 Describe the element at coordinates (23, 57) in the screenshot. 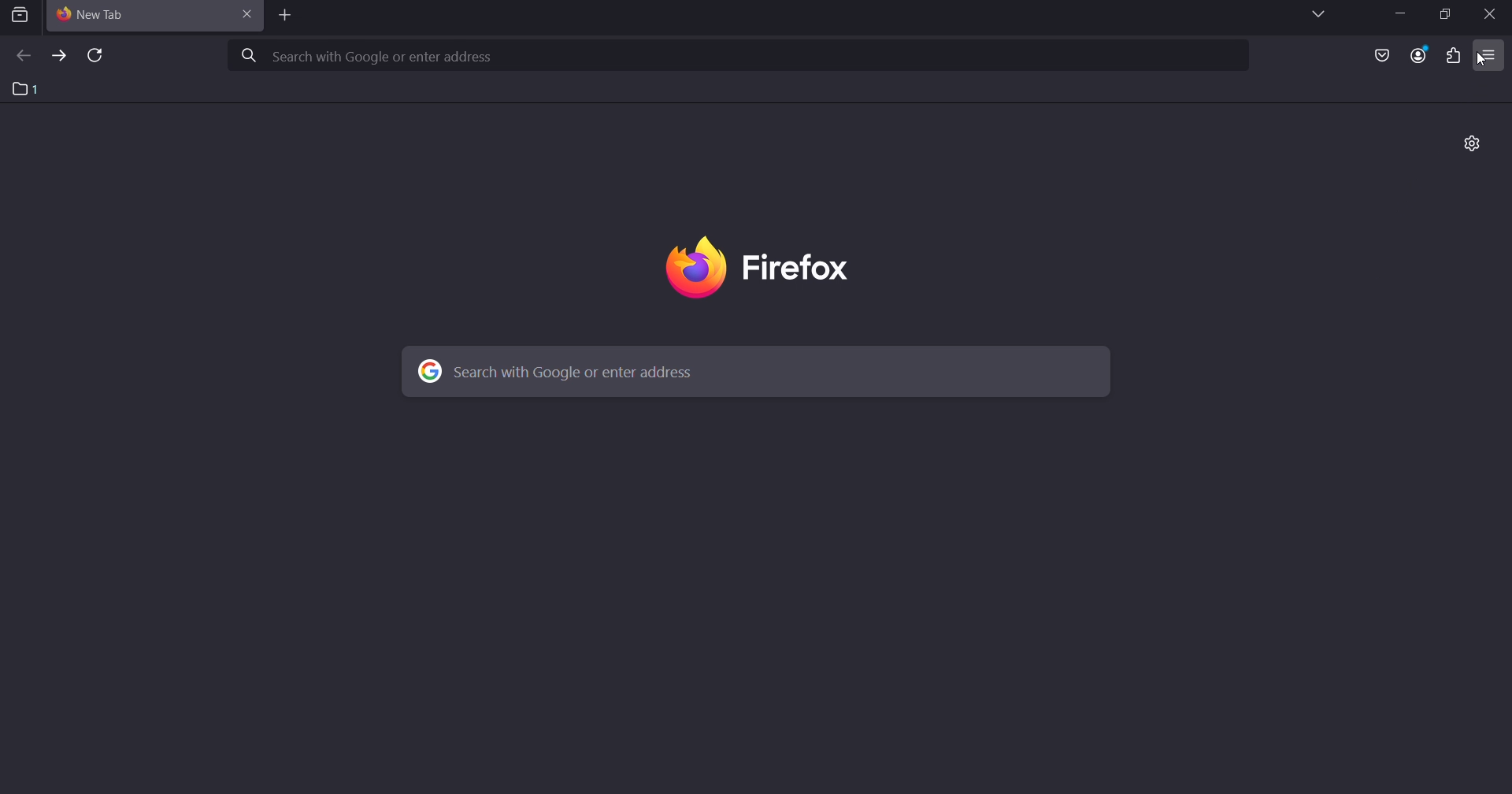

I see `back one page` at that location.